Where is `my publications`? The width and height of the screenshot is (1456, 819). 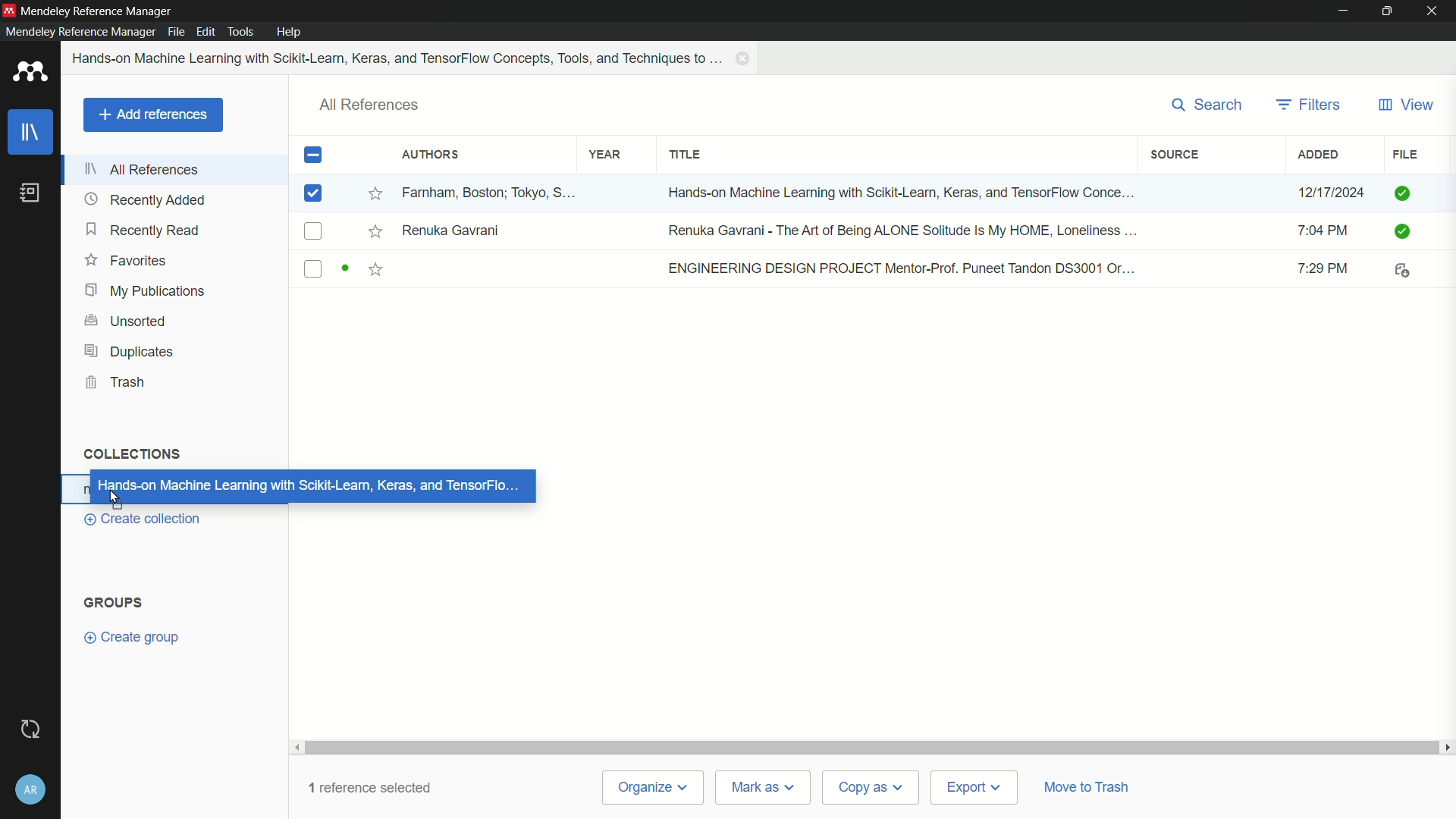 my publications is located at coordinates (143, 291).